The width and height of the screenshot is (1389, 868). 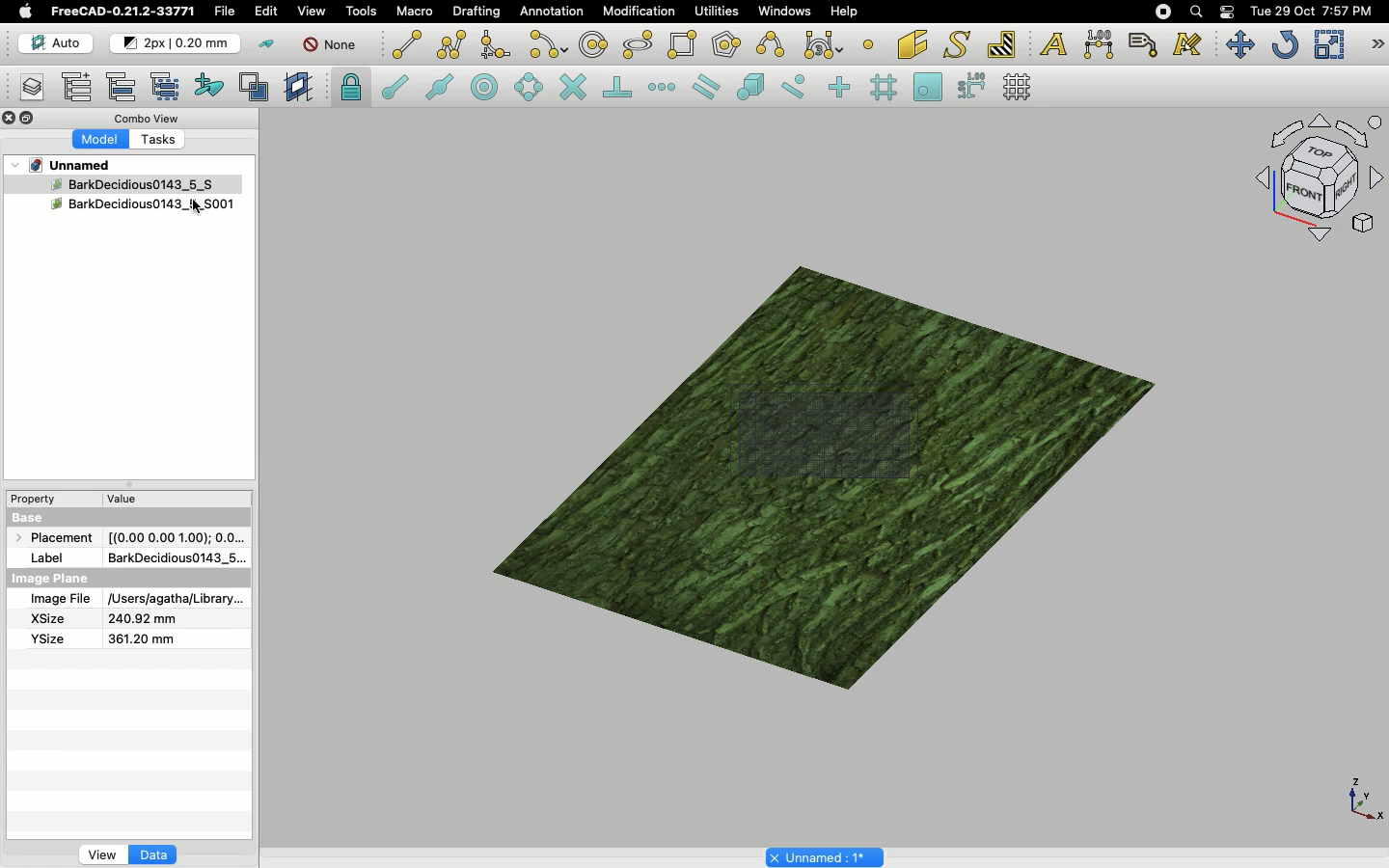 What do you see at coordinates (45, 638) in the screenshot?
I see `YSize` at bounding box center [45, 638].